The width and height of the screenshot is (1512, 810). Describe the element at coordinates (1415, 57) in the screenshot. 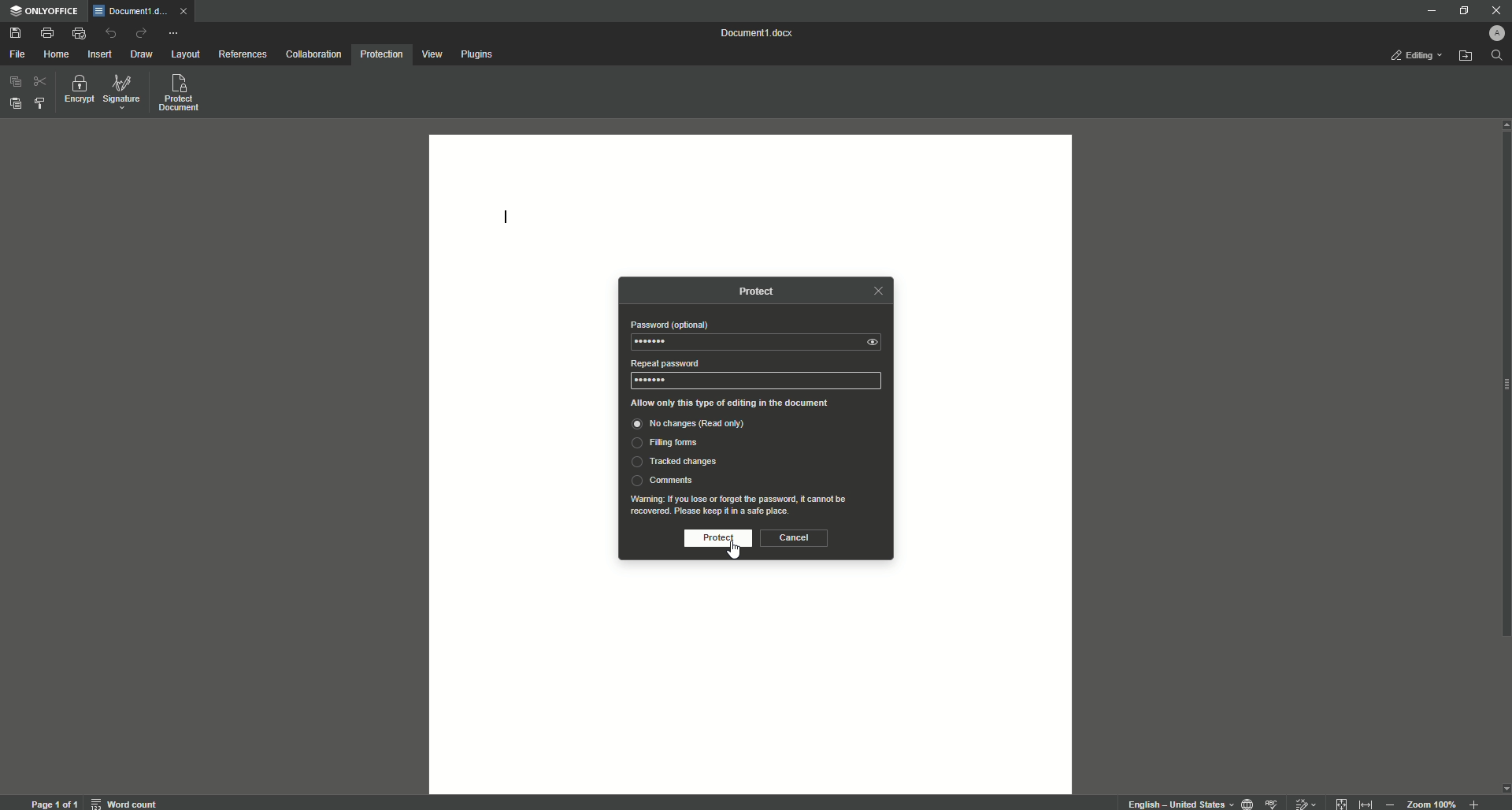

I see `Editing` at that location.